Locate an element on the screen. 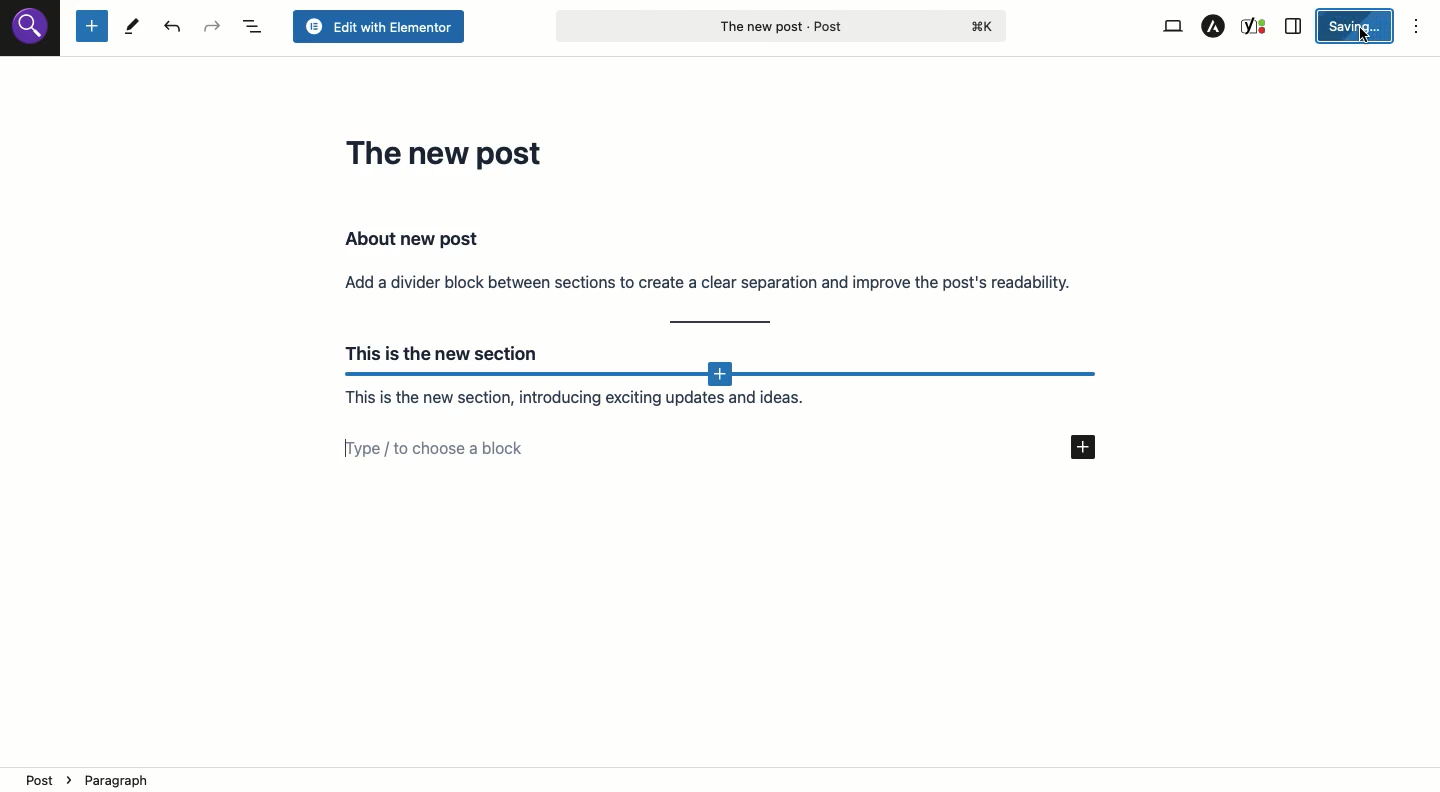 This screenshot has height=792, width=1440. Choose a block is located at coordinates (733, 448).